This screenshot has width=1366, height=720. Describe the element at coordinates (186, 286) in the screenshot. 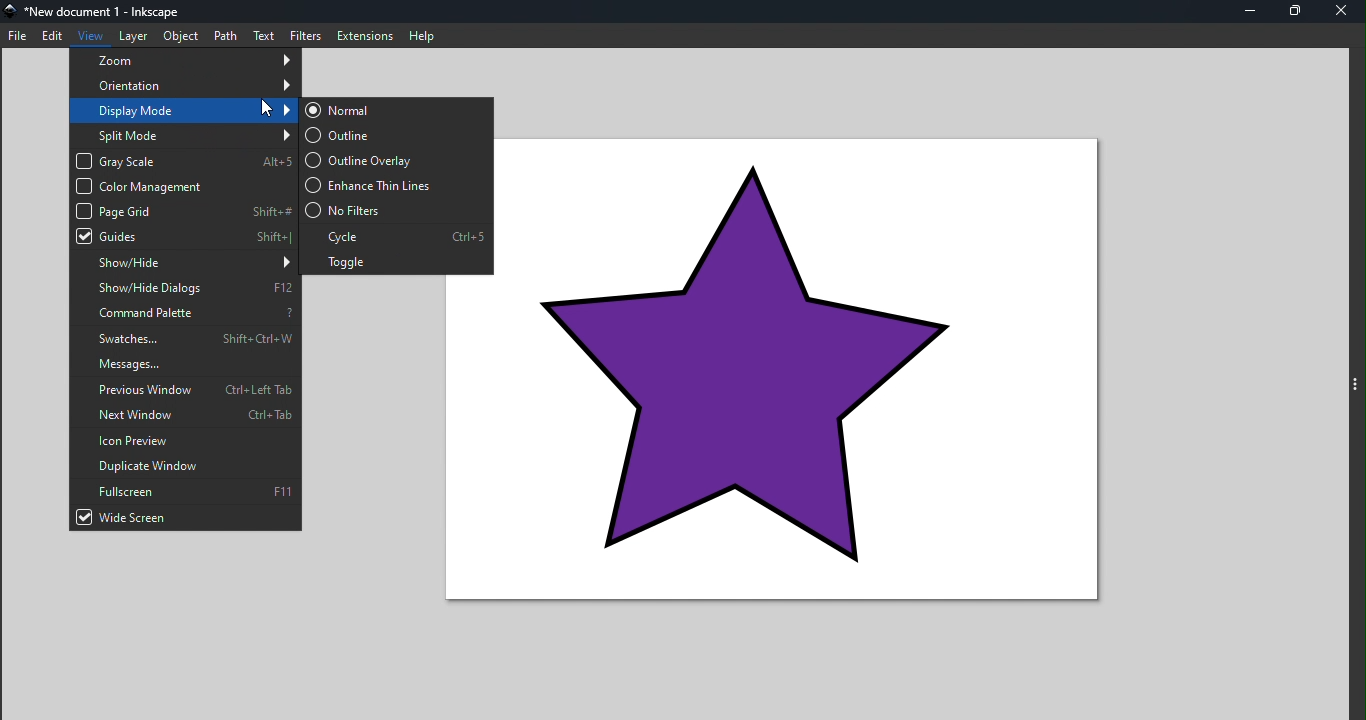

I see `Show/hide dialog` at that location.